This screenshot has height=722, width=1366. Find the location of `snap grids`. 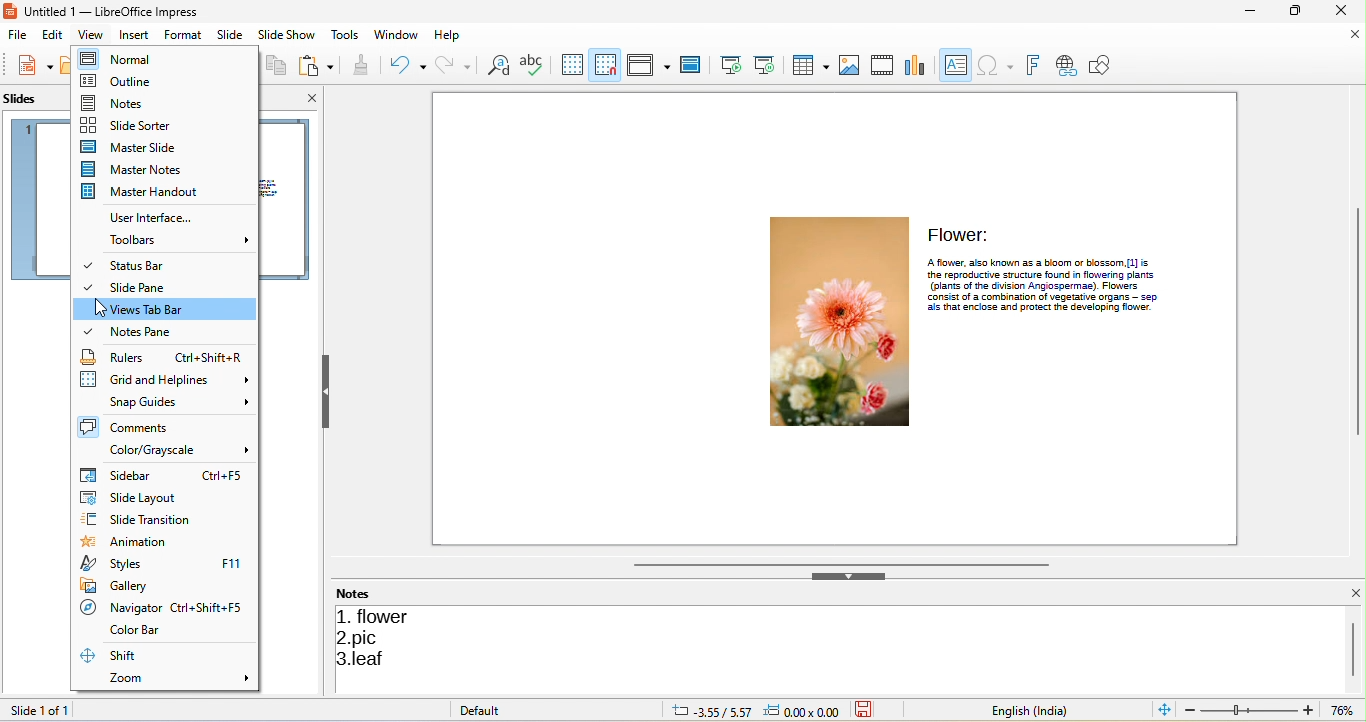

snap grids is located at coordinates (607, 65).